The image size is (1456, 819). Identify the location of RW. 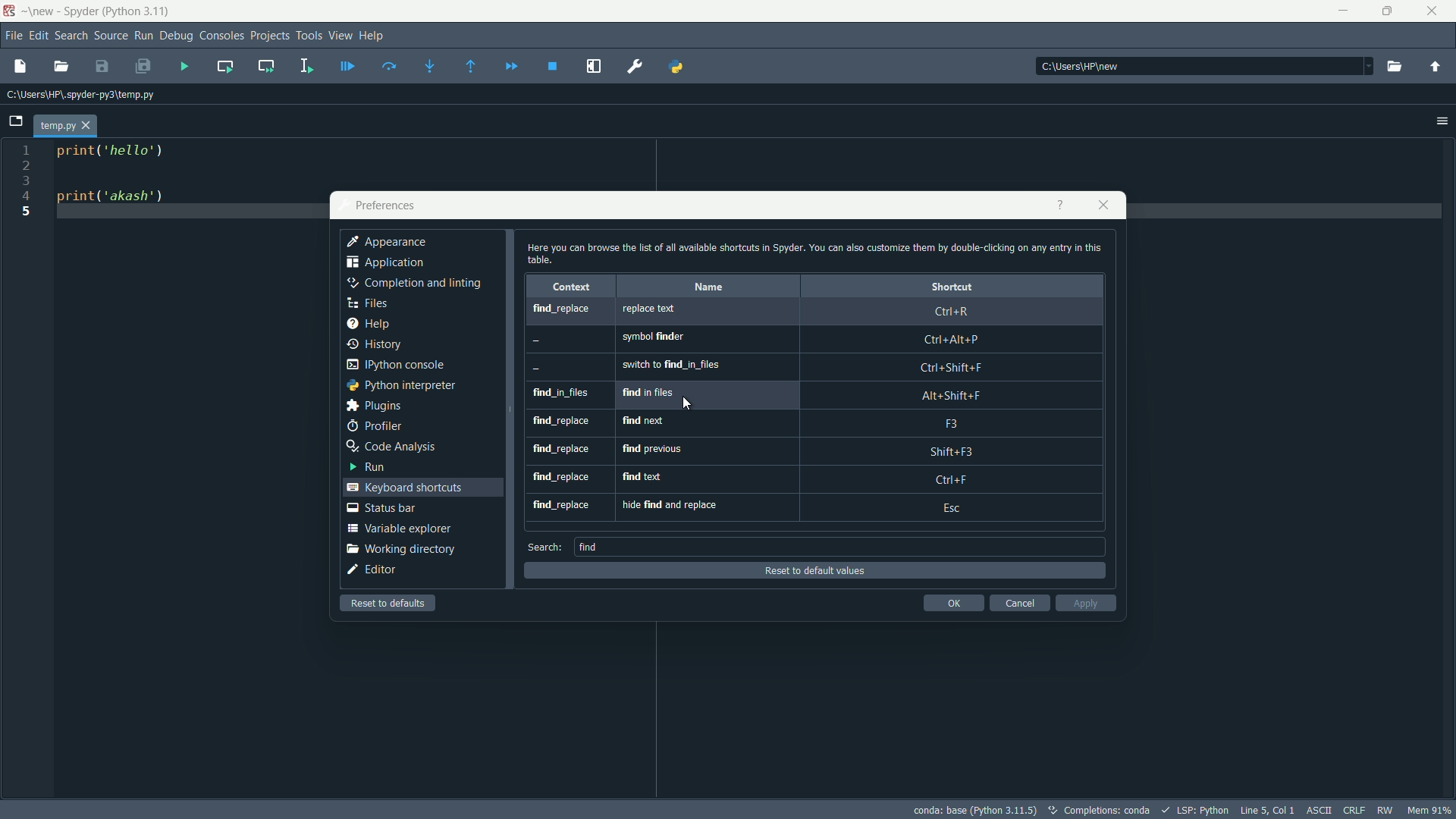
(1386, 810).